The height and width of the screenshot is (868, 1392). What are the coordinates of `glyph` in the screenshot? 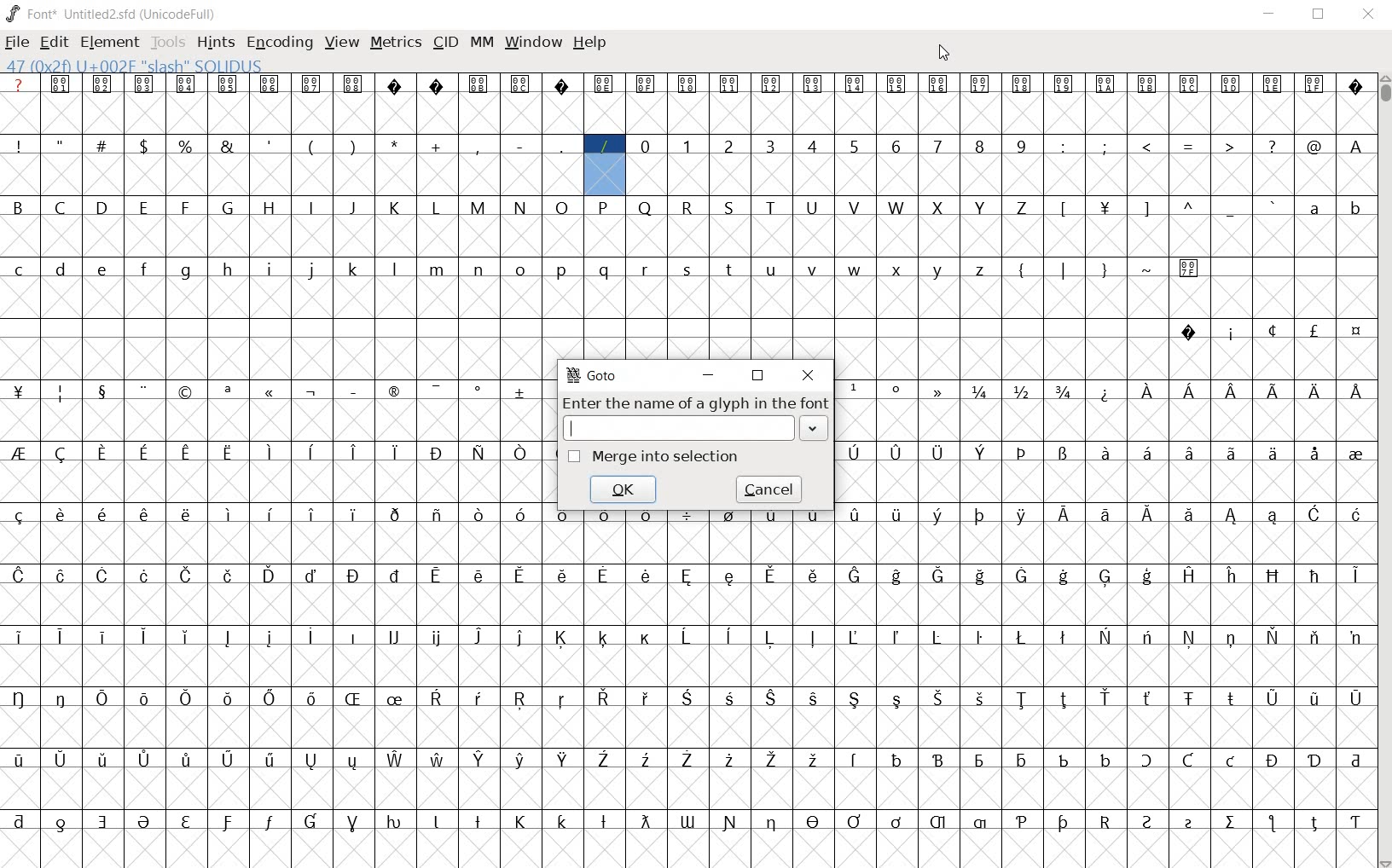 It's located at (729, 577).